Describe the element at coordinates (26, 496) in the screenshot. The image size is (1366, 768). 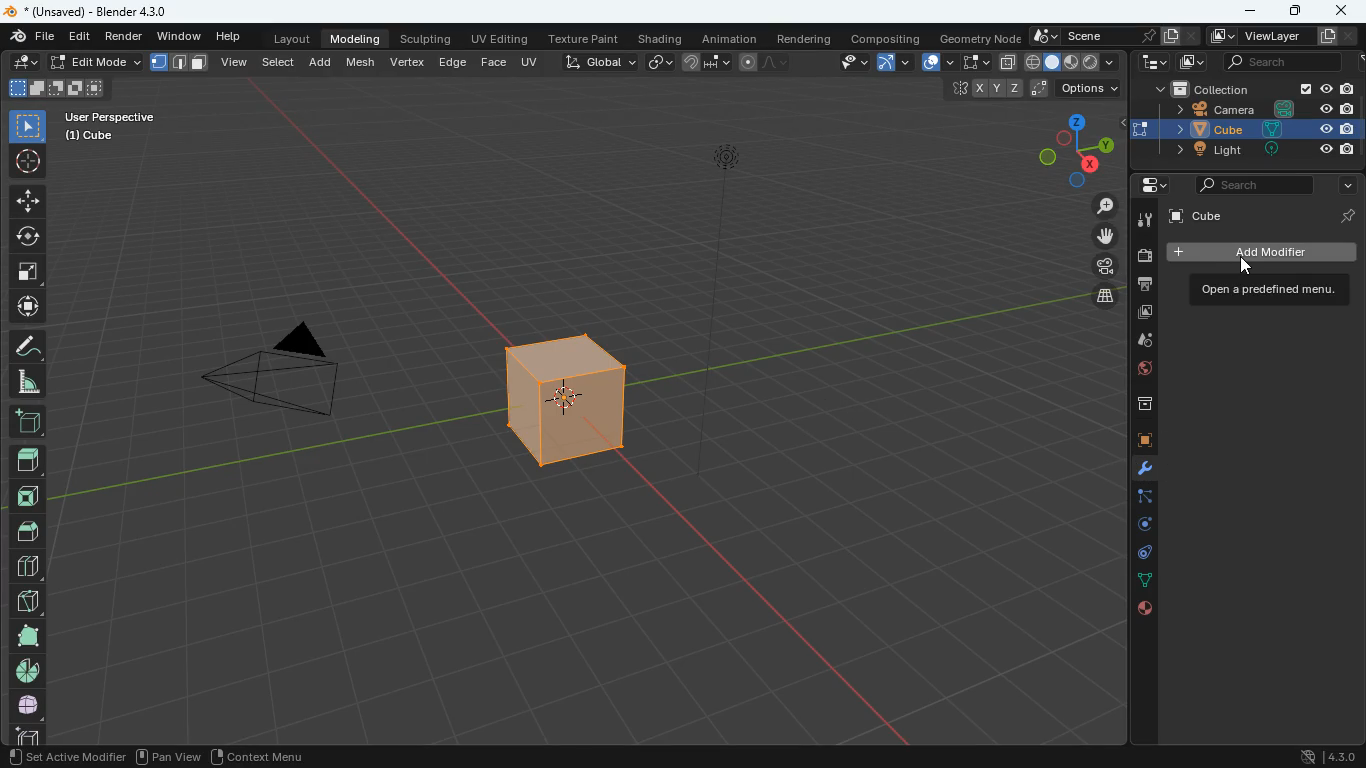
I see `front` at that location.